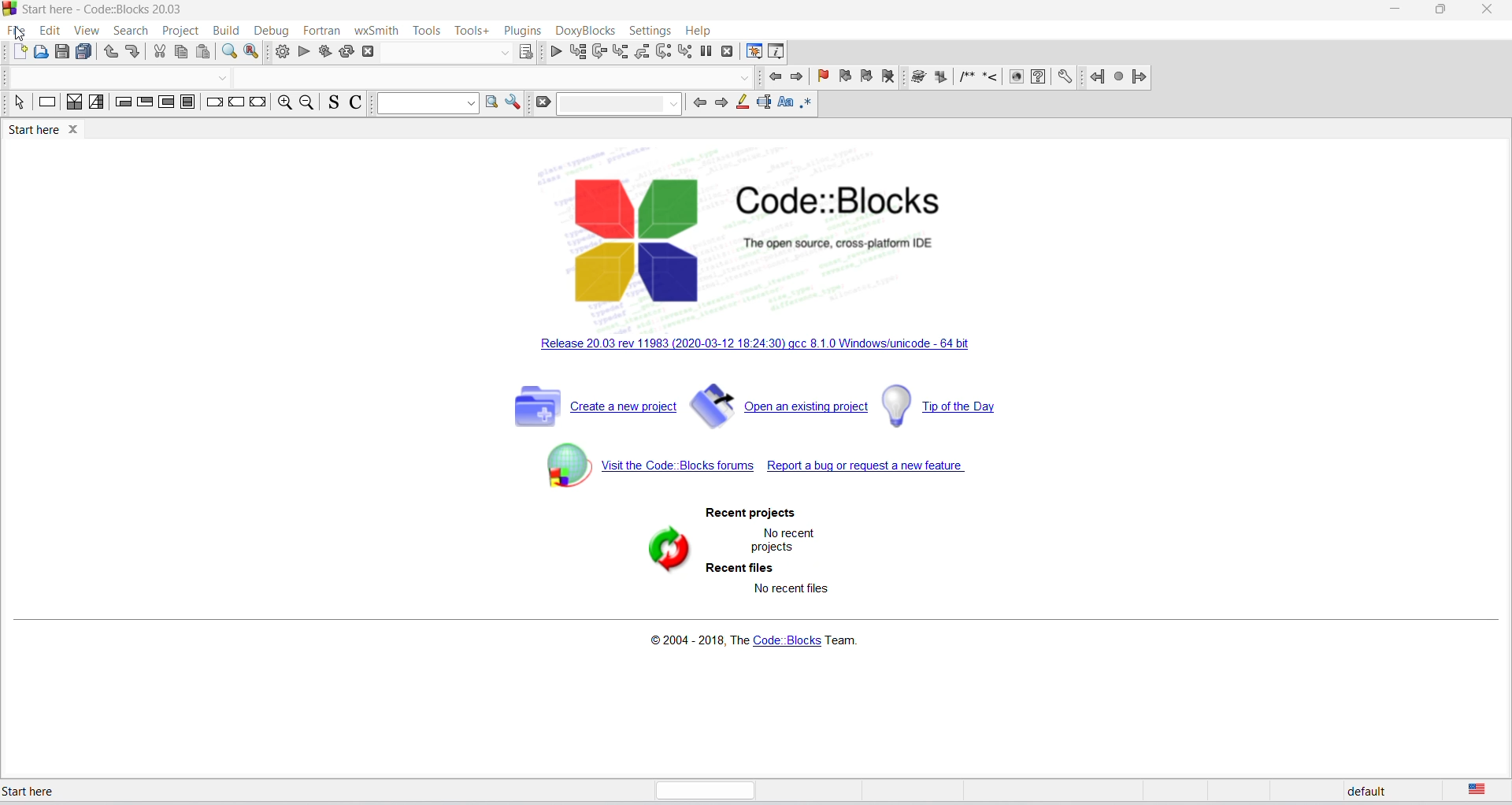  I want to click on search, so click(133, 31).